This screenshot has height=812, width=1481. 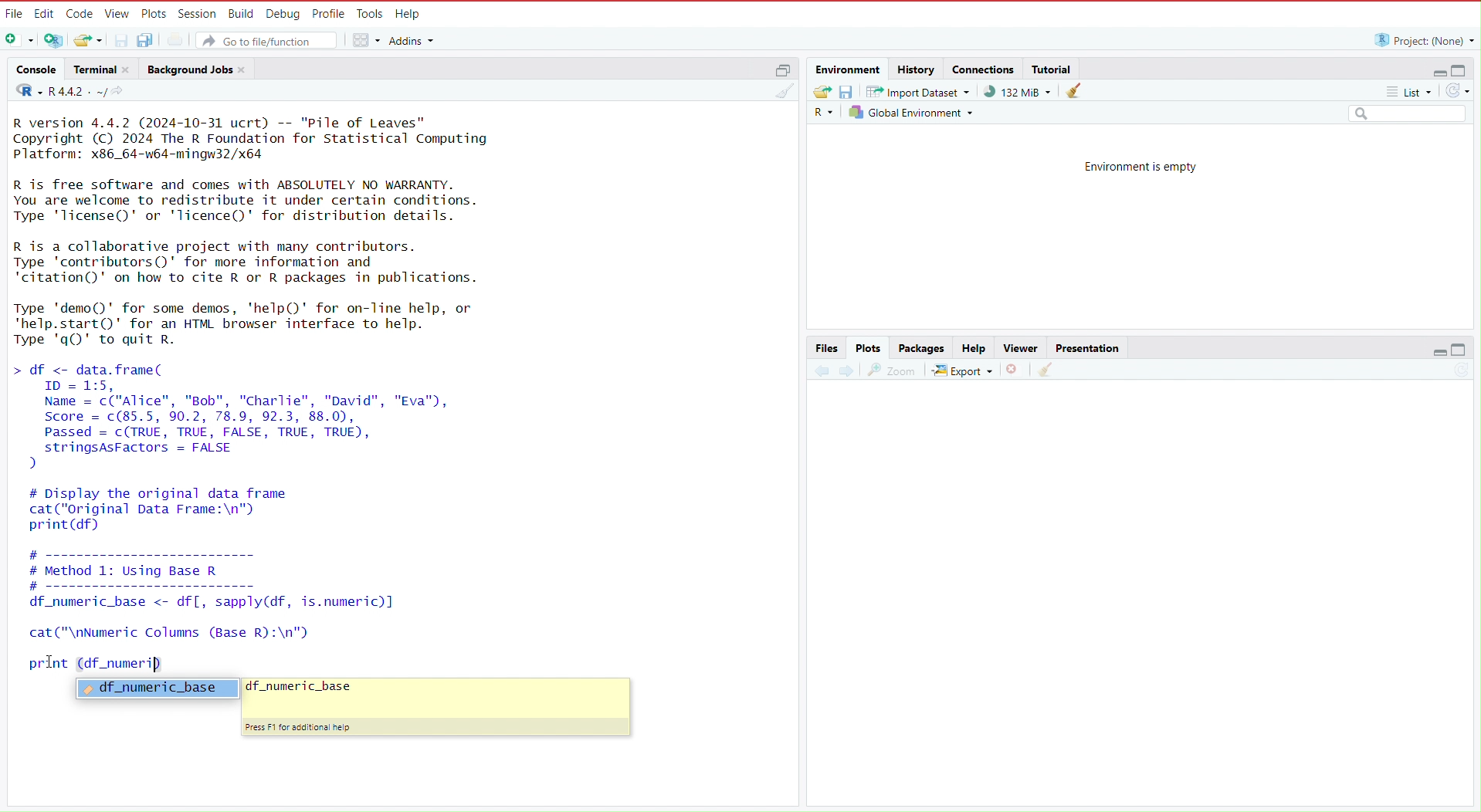 I want to click on Files, so click(x=825, y=347).